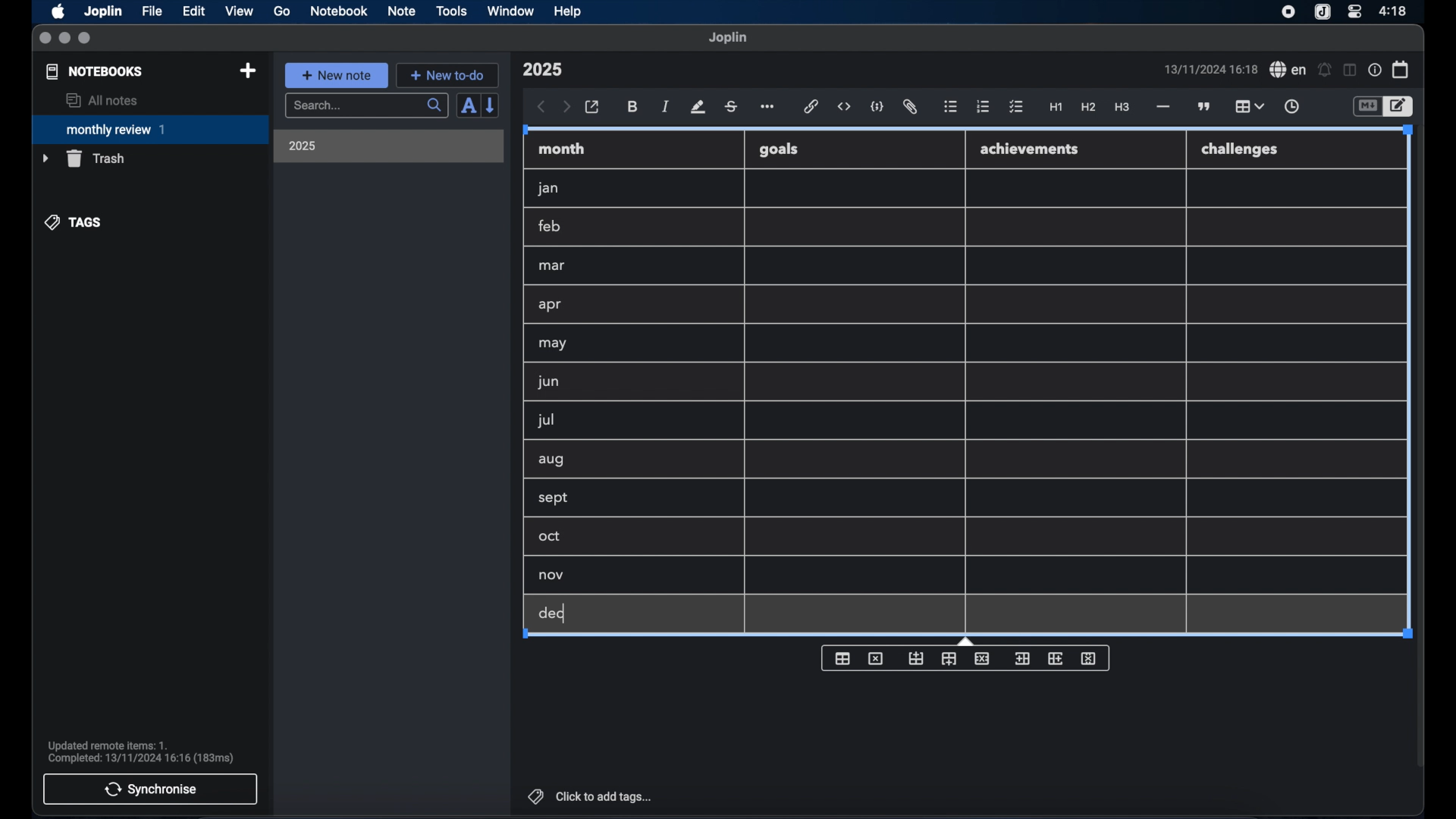 Image resolution: width=1456 pixels, height=819 pixels. I want to click on month, so click(562, 149).